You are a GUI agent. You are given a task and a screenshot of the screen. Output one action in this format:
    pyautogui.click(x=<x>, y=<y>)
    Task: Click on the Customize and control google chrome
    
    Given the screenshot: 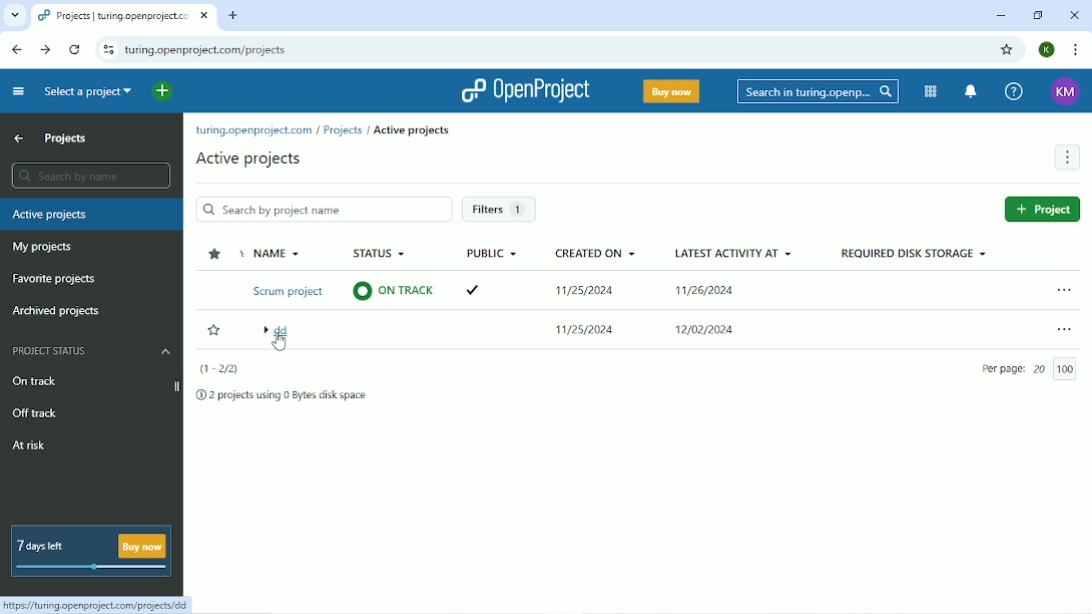 What is the action you would take?
    pyautogui.click(x=1072, y=49)
    